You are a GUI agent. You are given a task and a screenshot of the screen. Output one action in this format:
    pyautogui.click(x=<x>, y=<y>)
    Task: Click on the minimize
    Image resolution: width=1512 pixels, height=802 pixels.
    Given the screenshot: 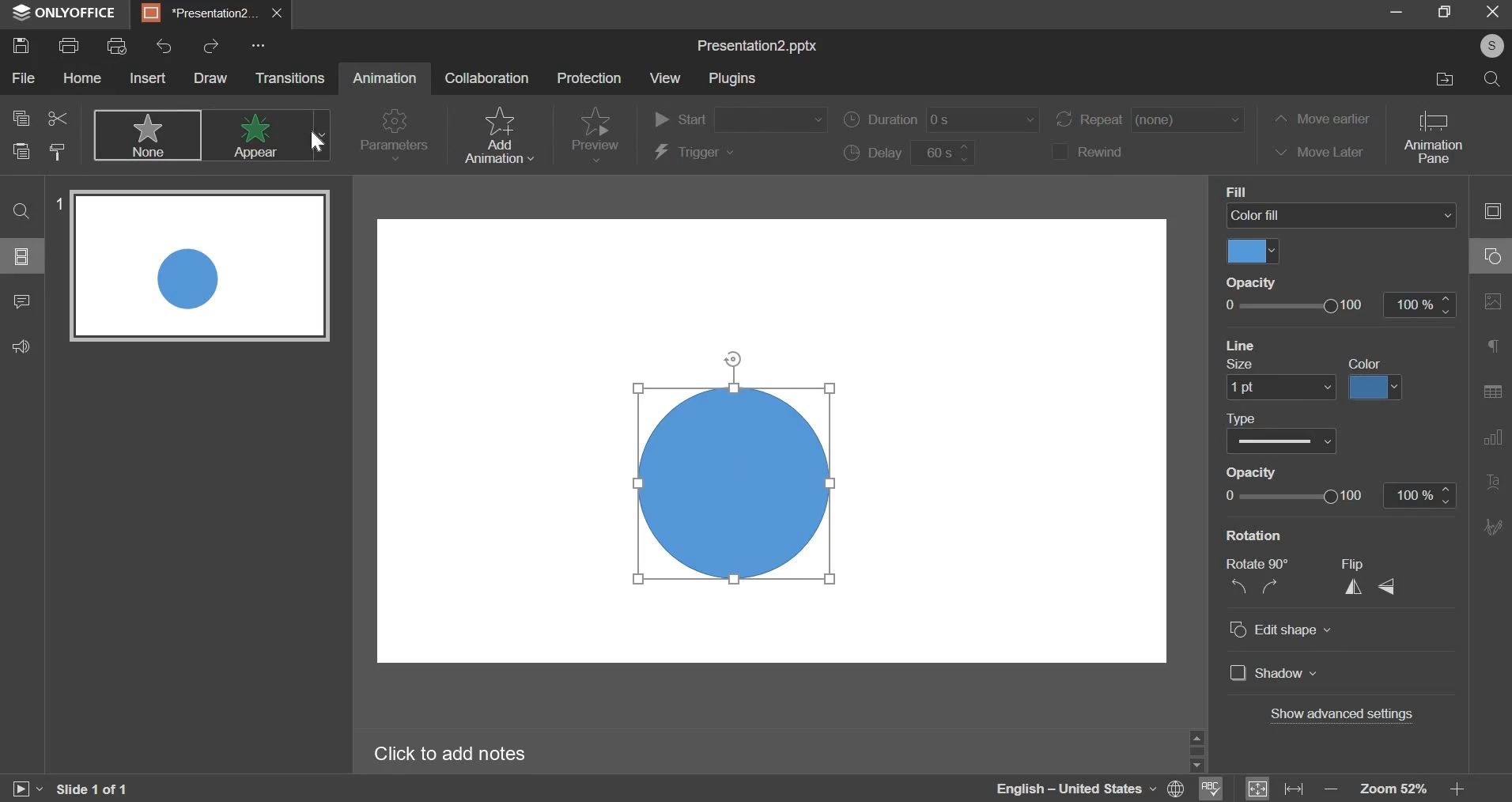 What is the action you would take?
    pyautogui.click(x=1393, y=13)
    